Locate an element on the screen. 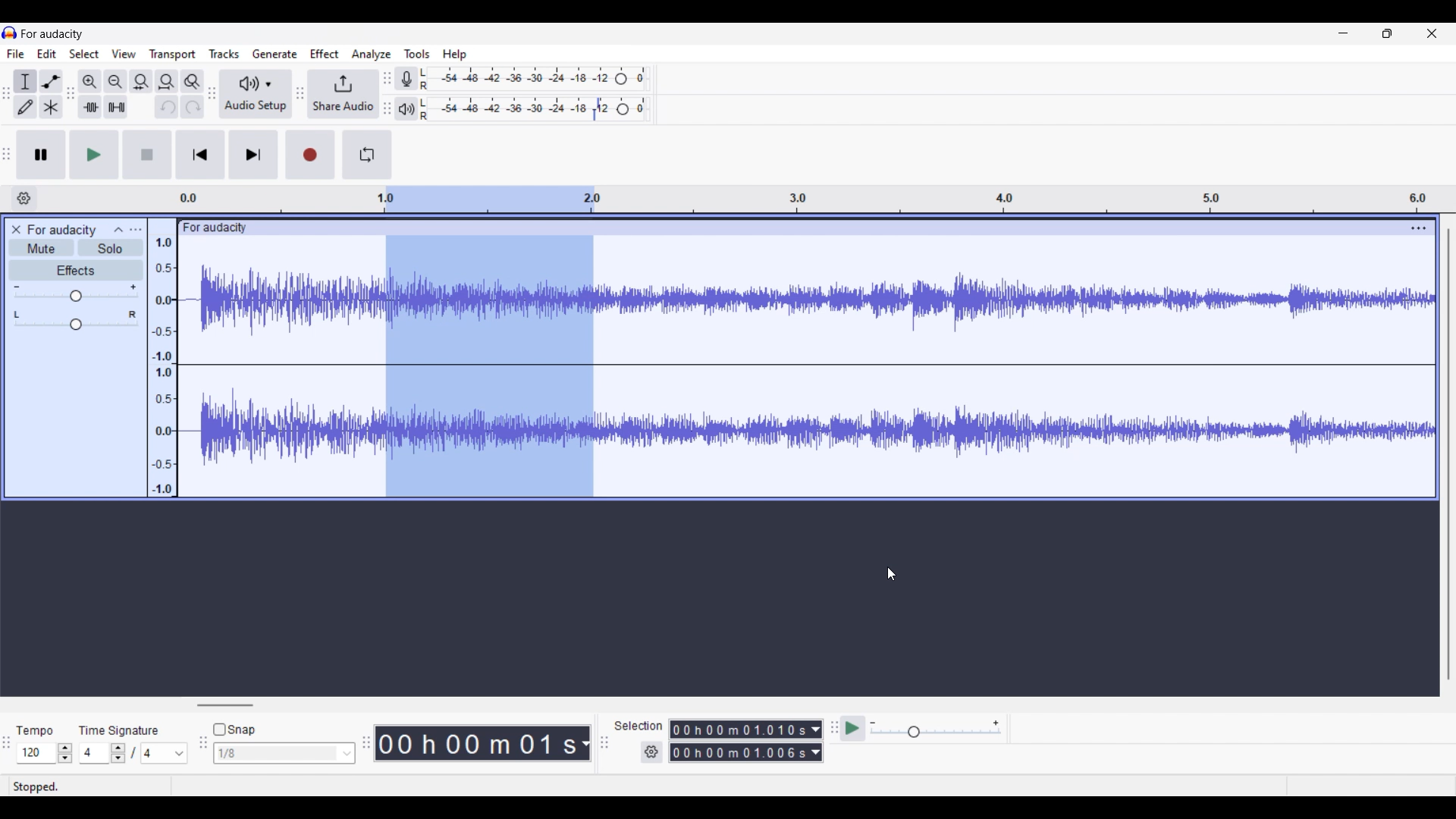  Undo is located at coordinates (167, 106).